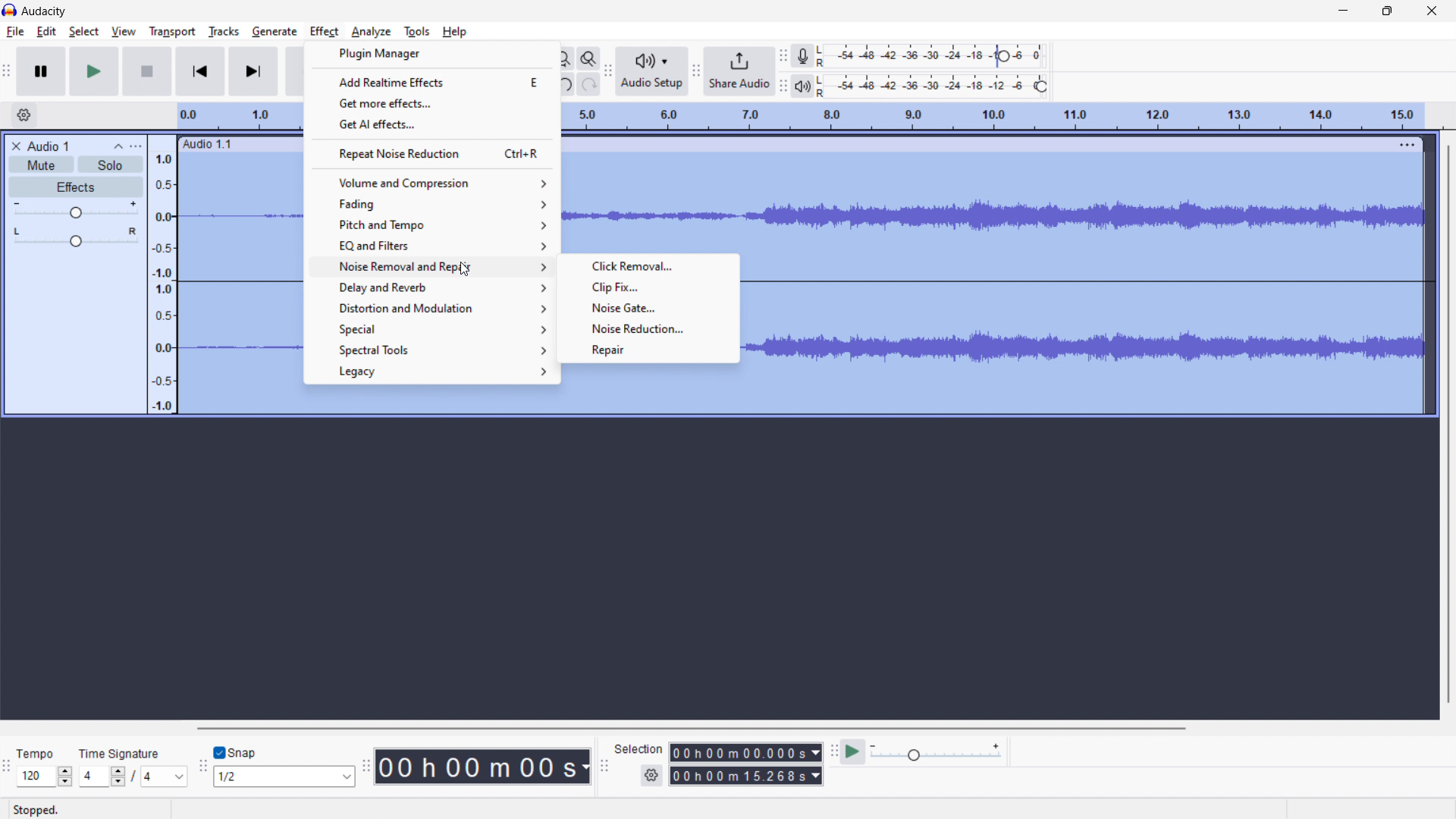  What do you see at coordinates (432, 372) in the screenshot?
I see `Legacy` at bounding box center [432, 372].